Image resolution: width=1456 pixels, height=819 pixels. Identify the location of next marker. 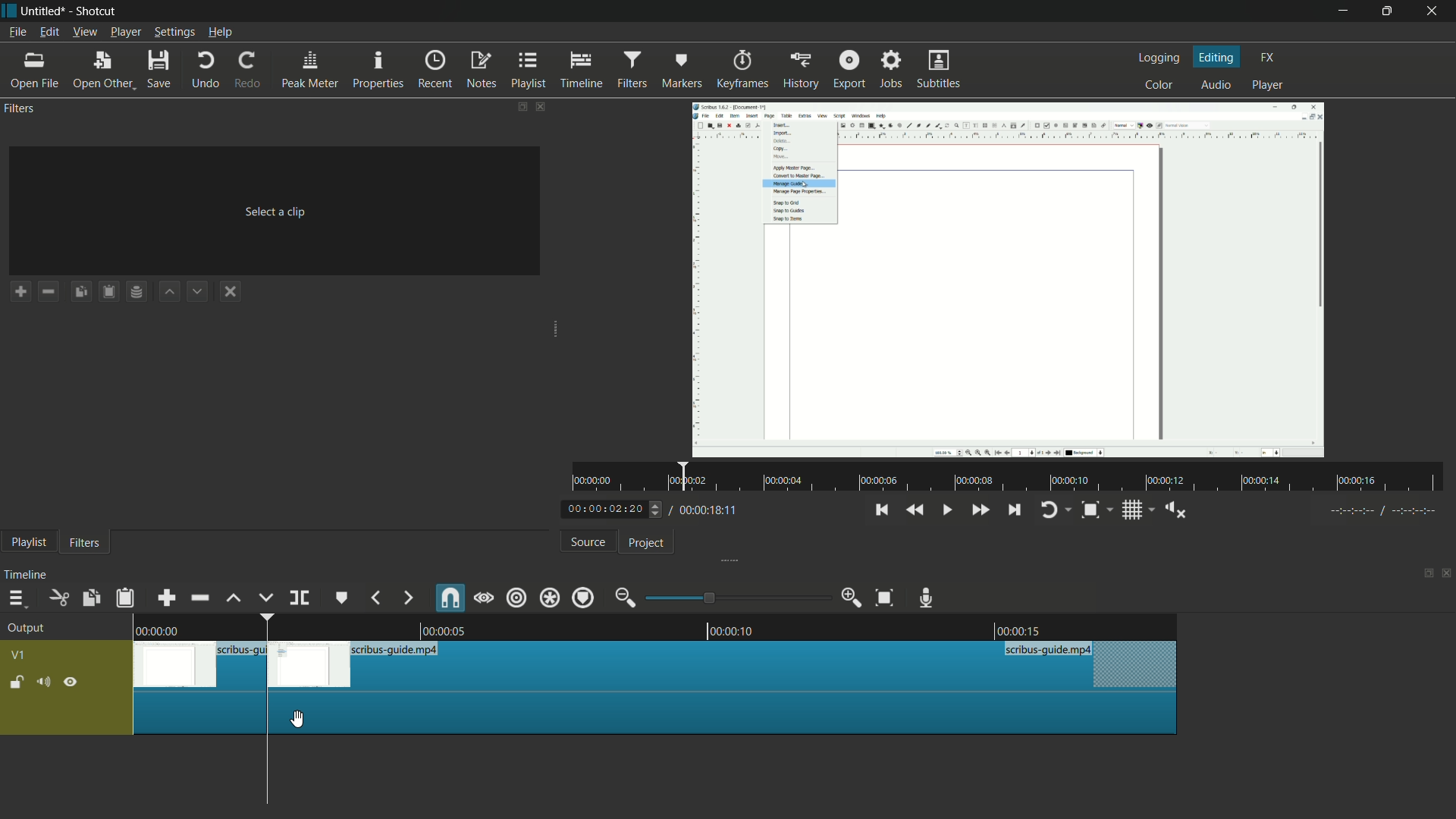
(409, 598).